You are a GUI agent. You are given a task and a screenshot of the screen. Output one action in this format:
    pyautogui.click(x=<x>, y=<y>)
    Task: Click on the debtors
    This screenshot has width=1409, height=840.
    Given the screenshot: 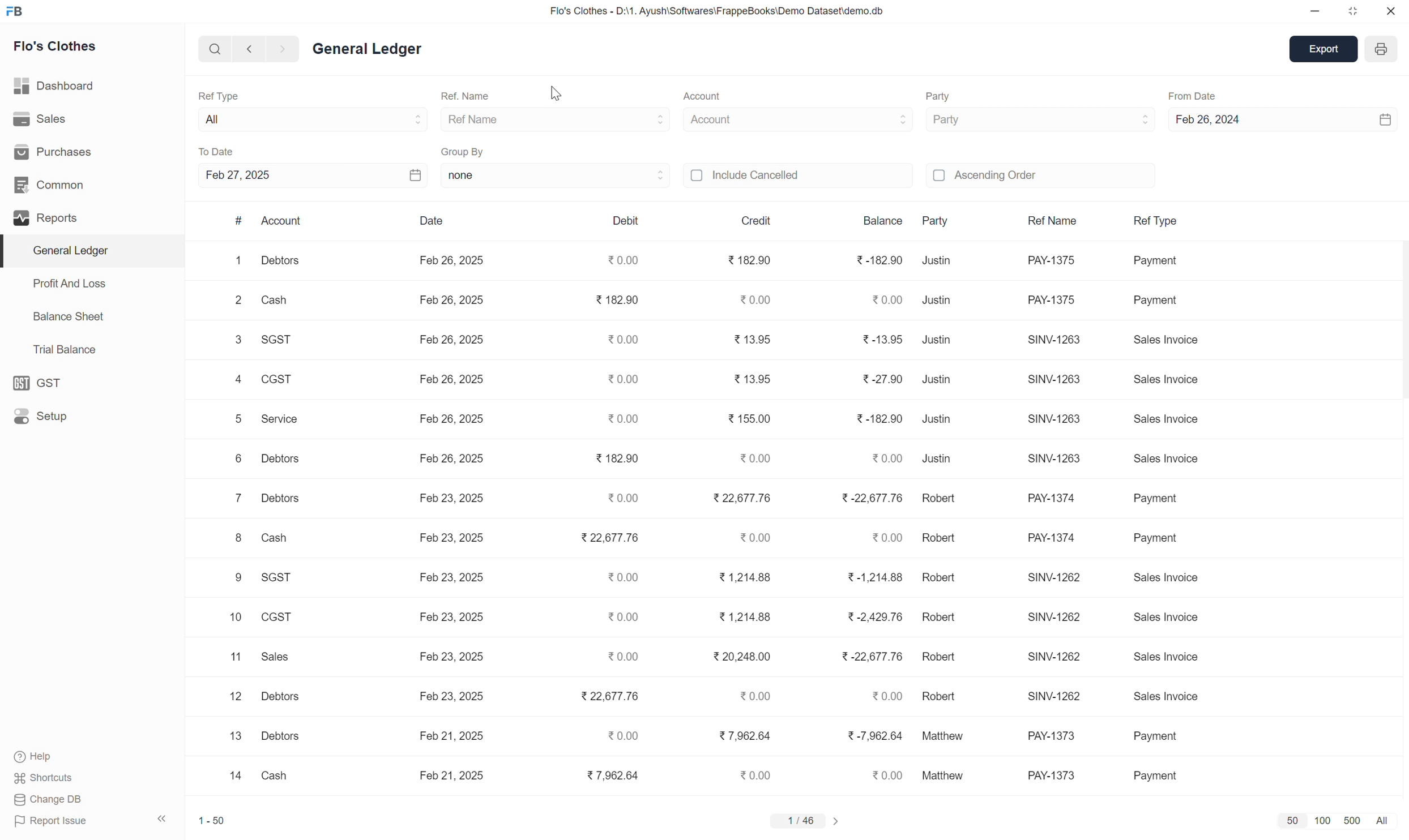 What is the action you would take?
    pyautogui.click(x=281, y=457)
    